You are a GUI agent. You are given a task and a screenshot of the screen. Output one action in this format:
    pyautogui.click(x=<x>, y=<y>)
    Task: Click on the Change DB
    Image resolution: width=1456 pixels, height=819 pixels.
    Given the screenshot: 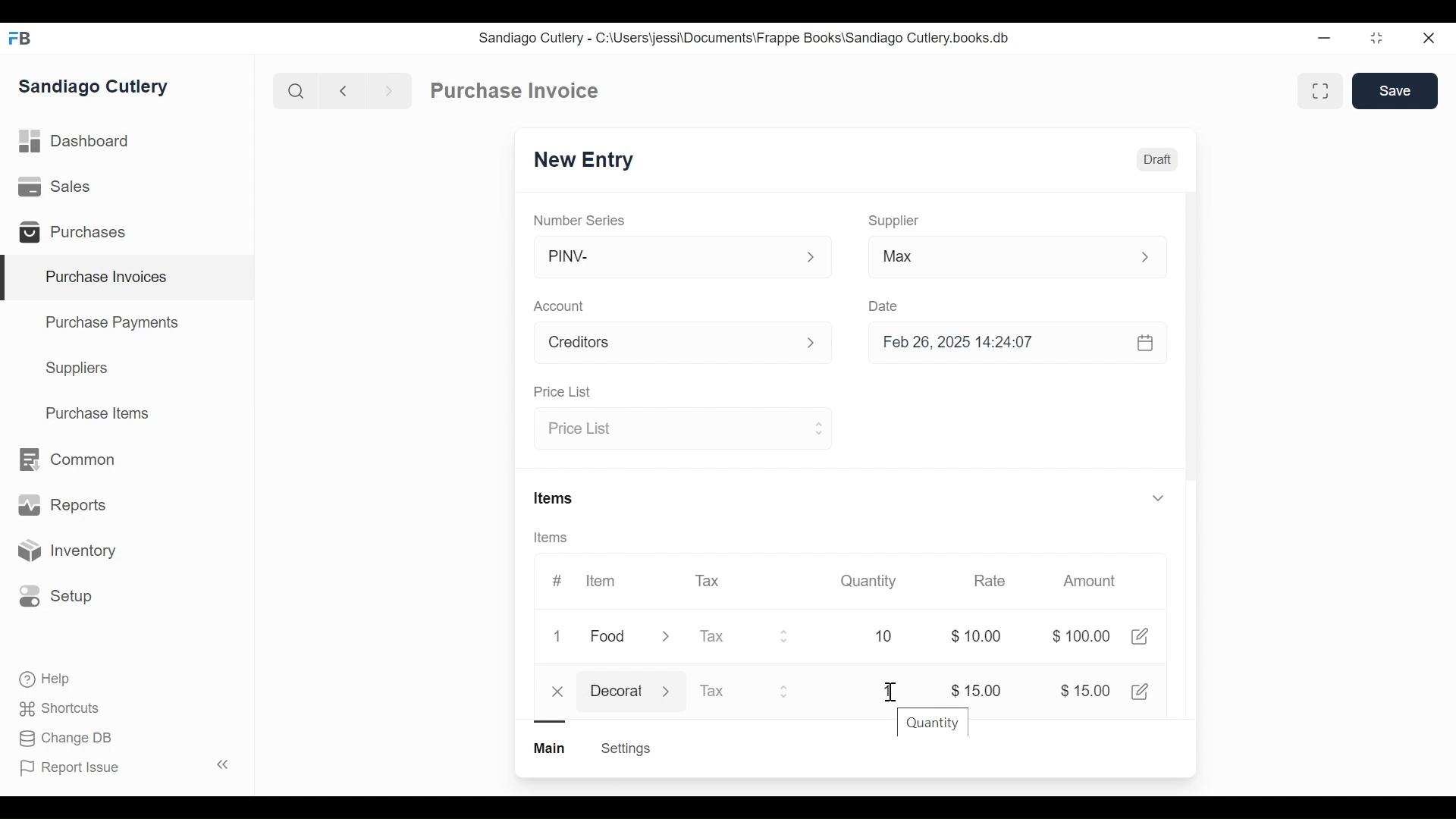 What is the action you would take?
    pyautogui.click(x=68, y=739)
    